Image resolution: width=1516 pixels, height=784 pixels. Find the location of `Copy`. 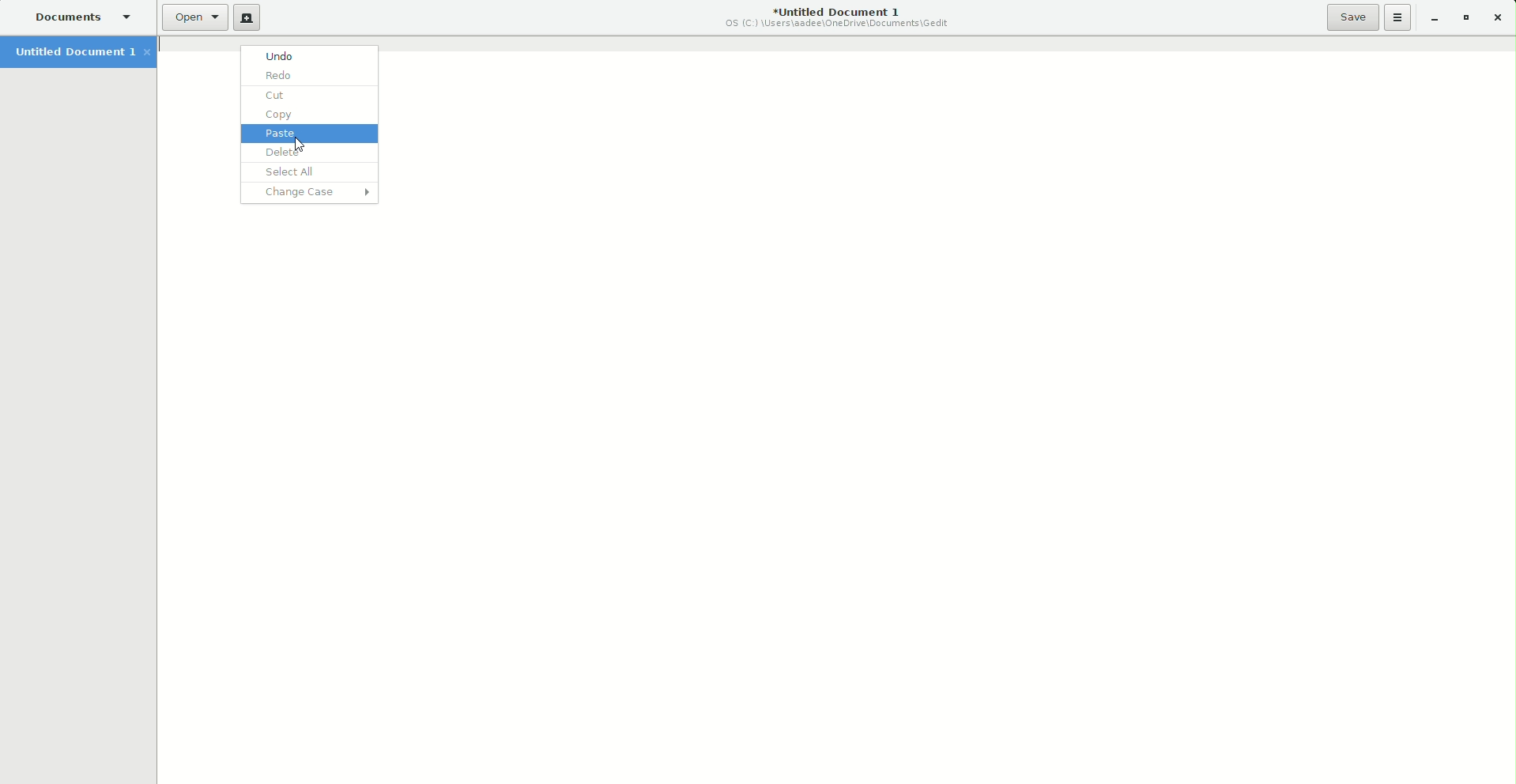

Copy is located at coordinates (307, 115).